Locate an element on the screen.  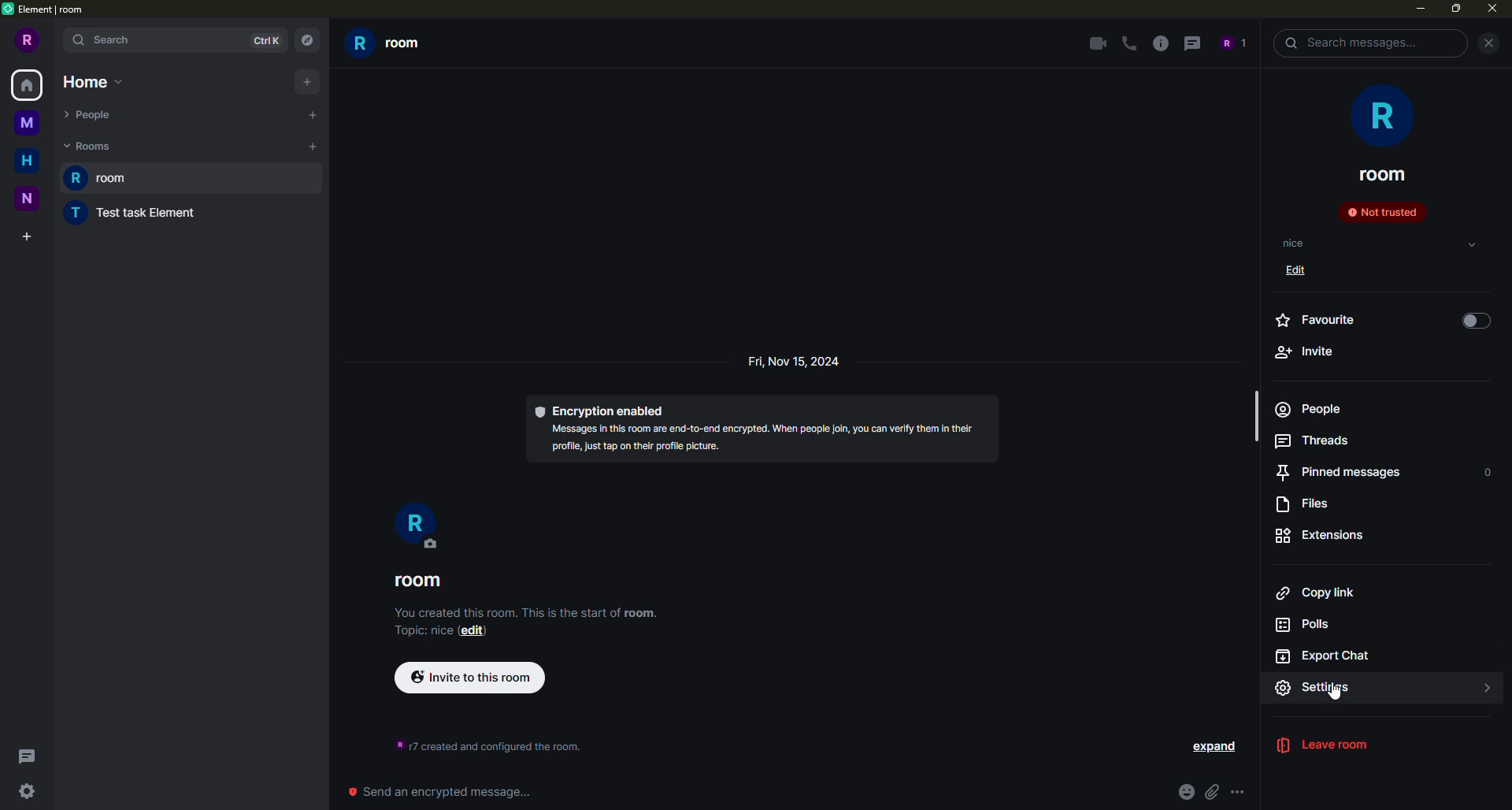
export chat is located at coordinates (1327, 657).